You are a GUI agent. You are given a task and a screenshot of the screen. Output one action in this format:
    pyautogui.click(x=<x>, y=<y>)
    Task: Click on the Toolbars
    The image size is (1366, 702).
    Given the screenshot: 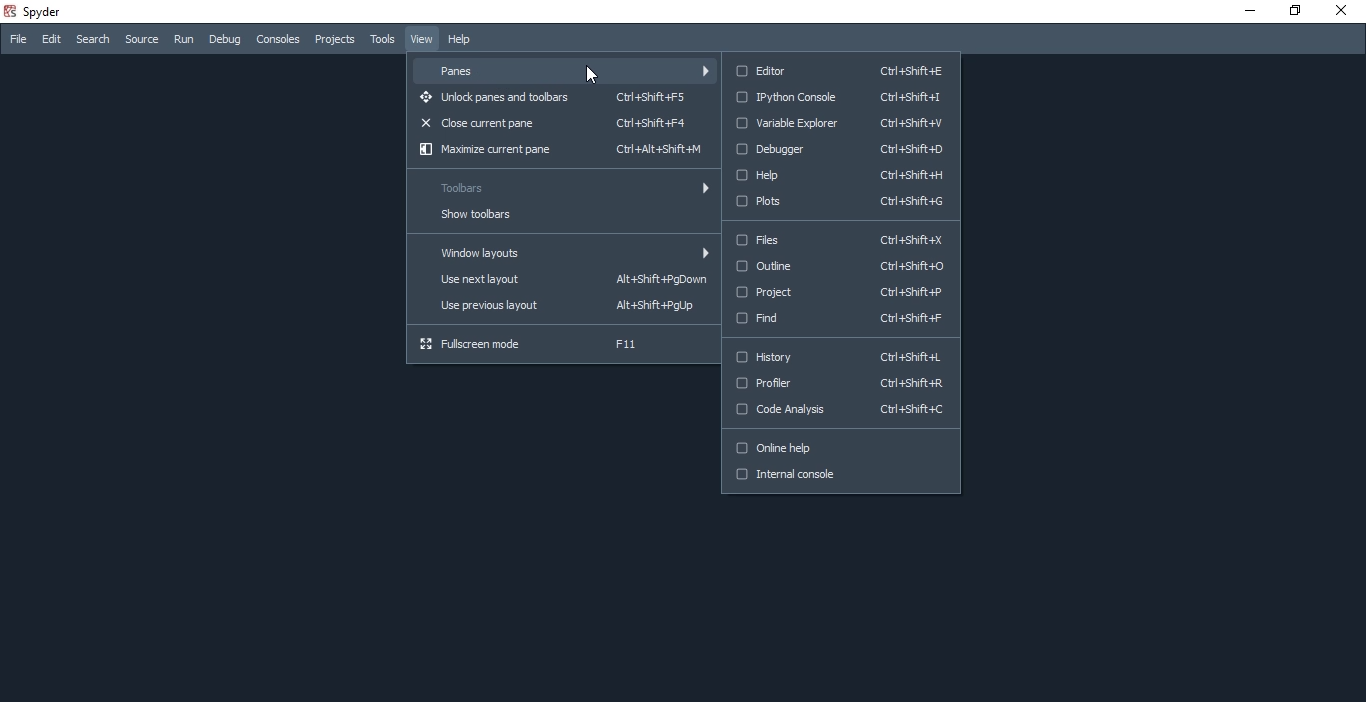 What is the action you would take?
    pyautogui.click(x=560, y=189)
    